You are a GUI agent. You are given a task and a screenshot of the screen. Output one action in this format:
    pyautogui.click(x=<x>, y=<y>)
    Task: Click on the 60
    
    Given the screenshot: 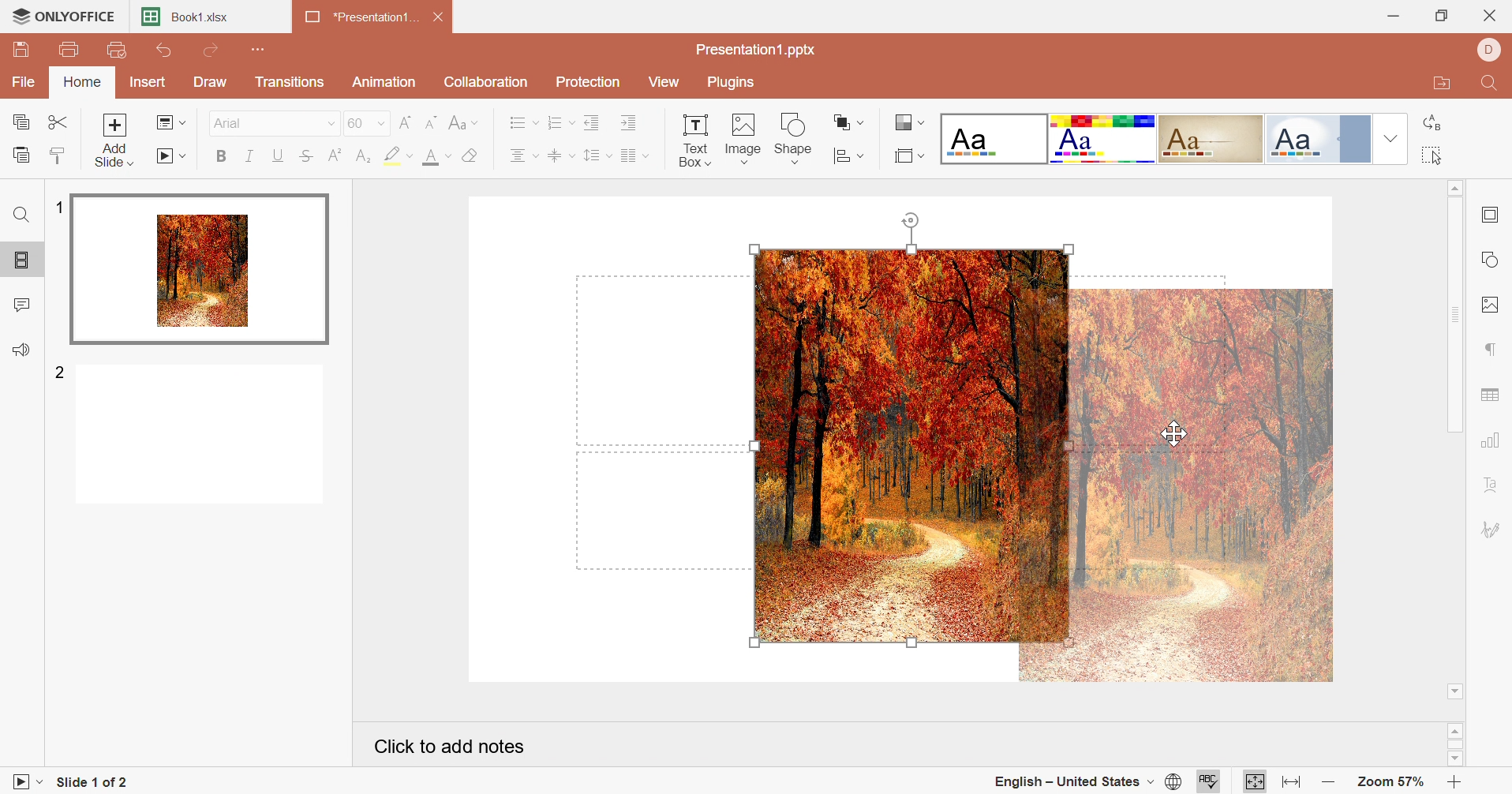 What is the action you would take?
    pyautogui.click(x=365, y=124)
    